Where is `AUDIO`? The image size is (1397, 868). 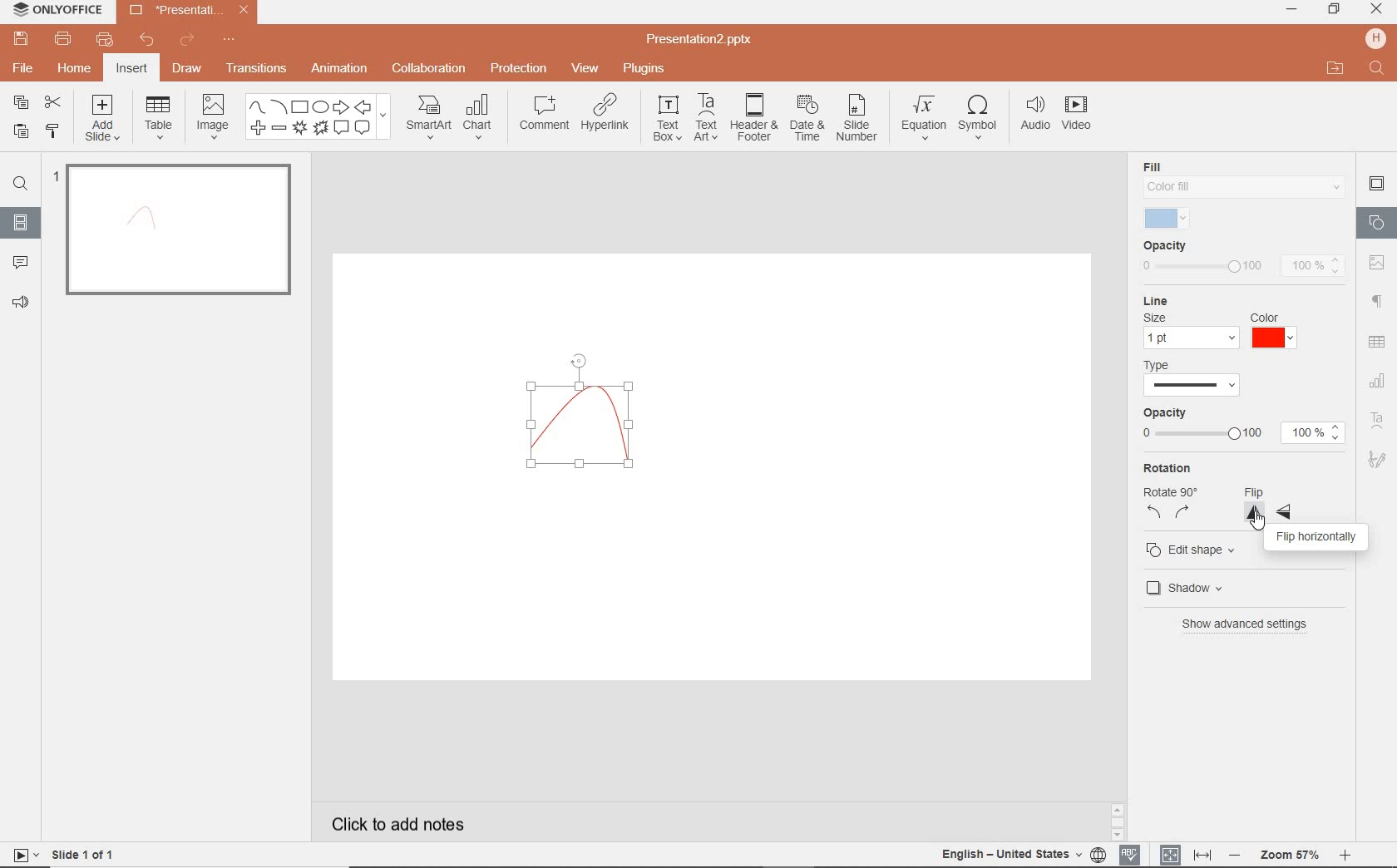
AUDIO is located at coordinates (1036, 114).